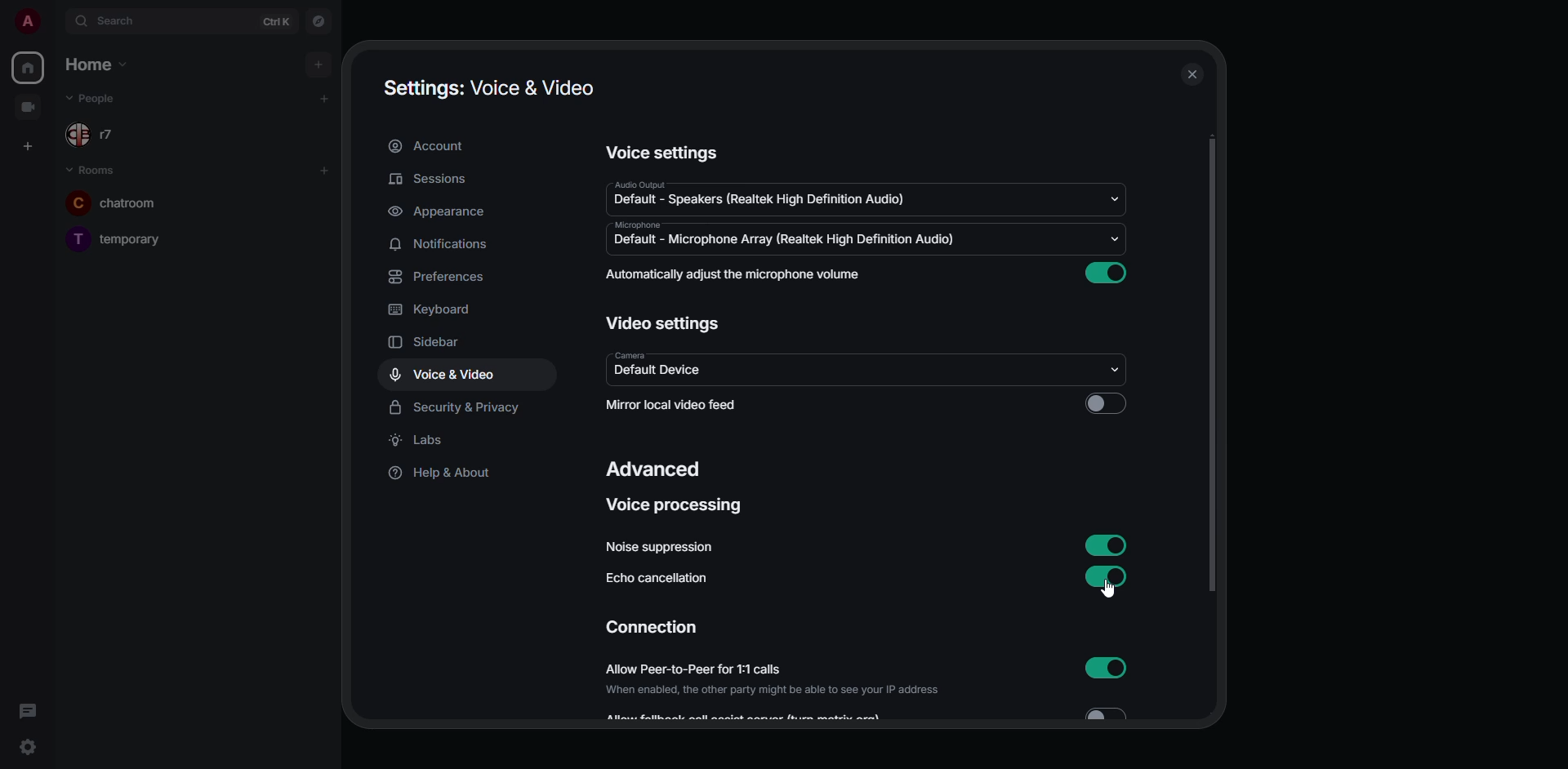 The image size is (1568, 769). Describe the element at coordinates (320, 20) in the screenshot. I see `navigator` at that location.